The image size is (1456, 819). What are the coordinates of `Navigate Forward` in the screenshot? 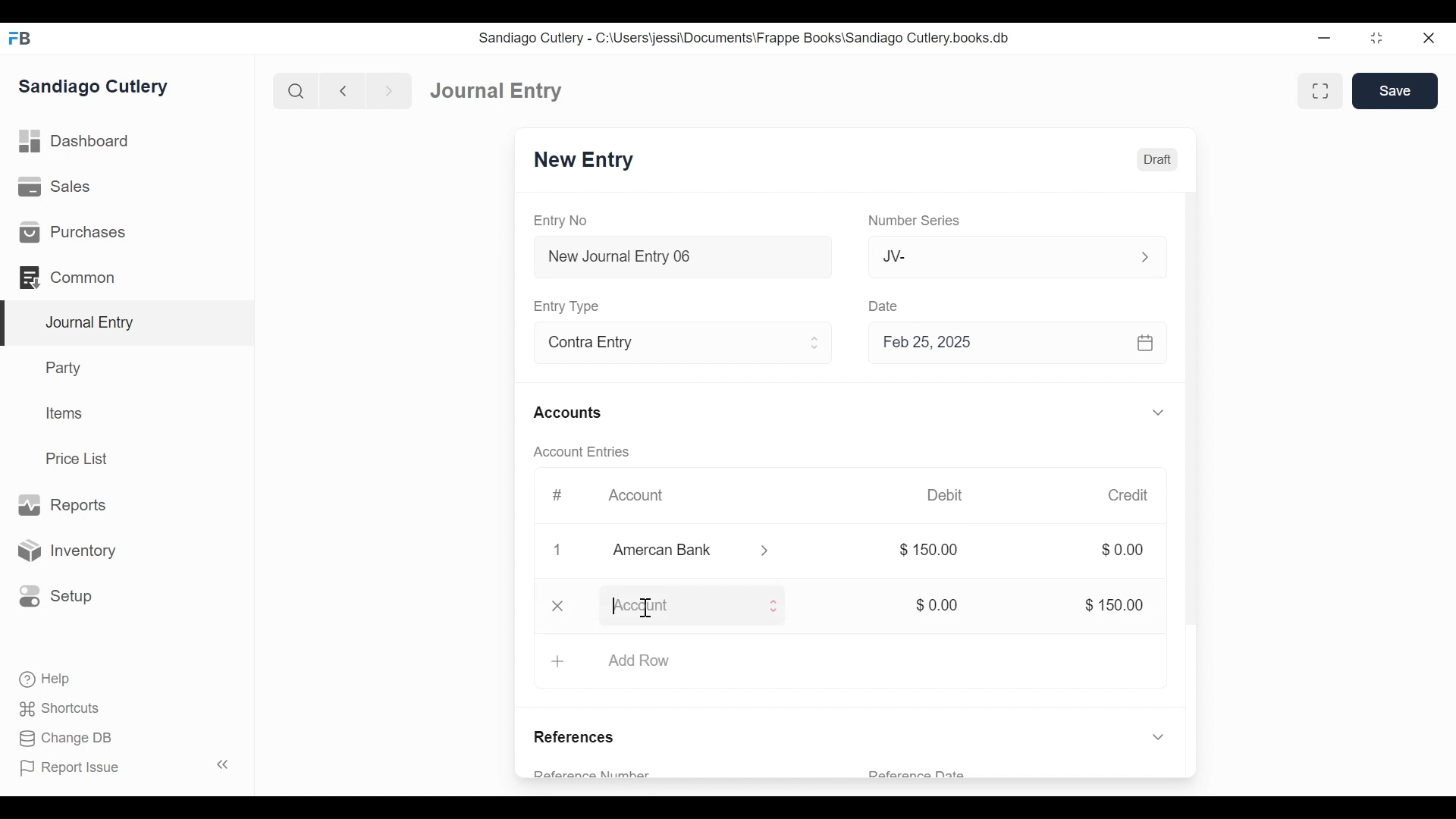 It's located at (390, 92).